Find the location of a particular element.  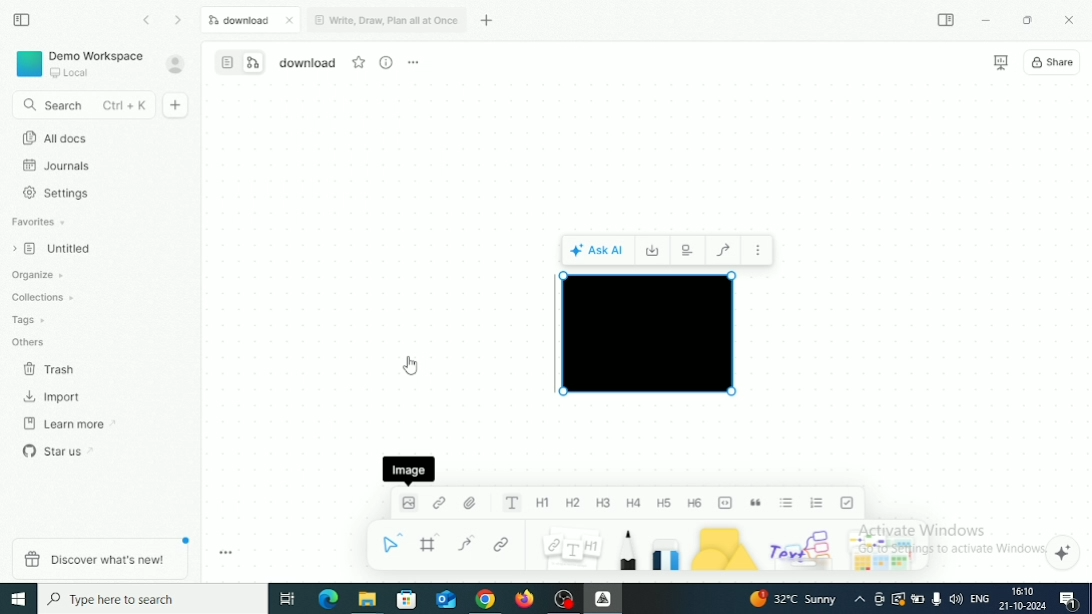

Code block is located at coordinates (726, 503).